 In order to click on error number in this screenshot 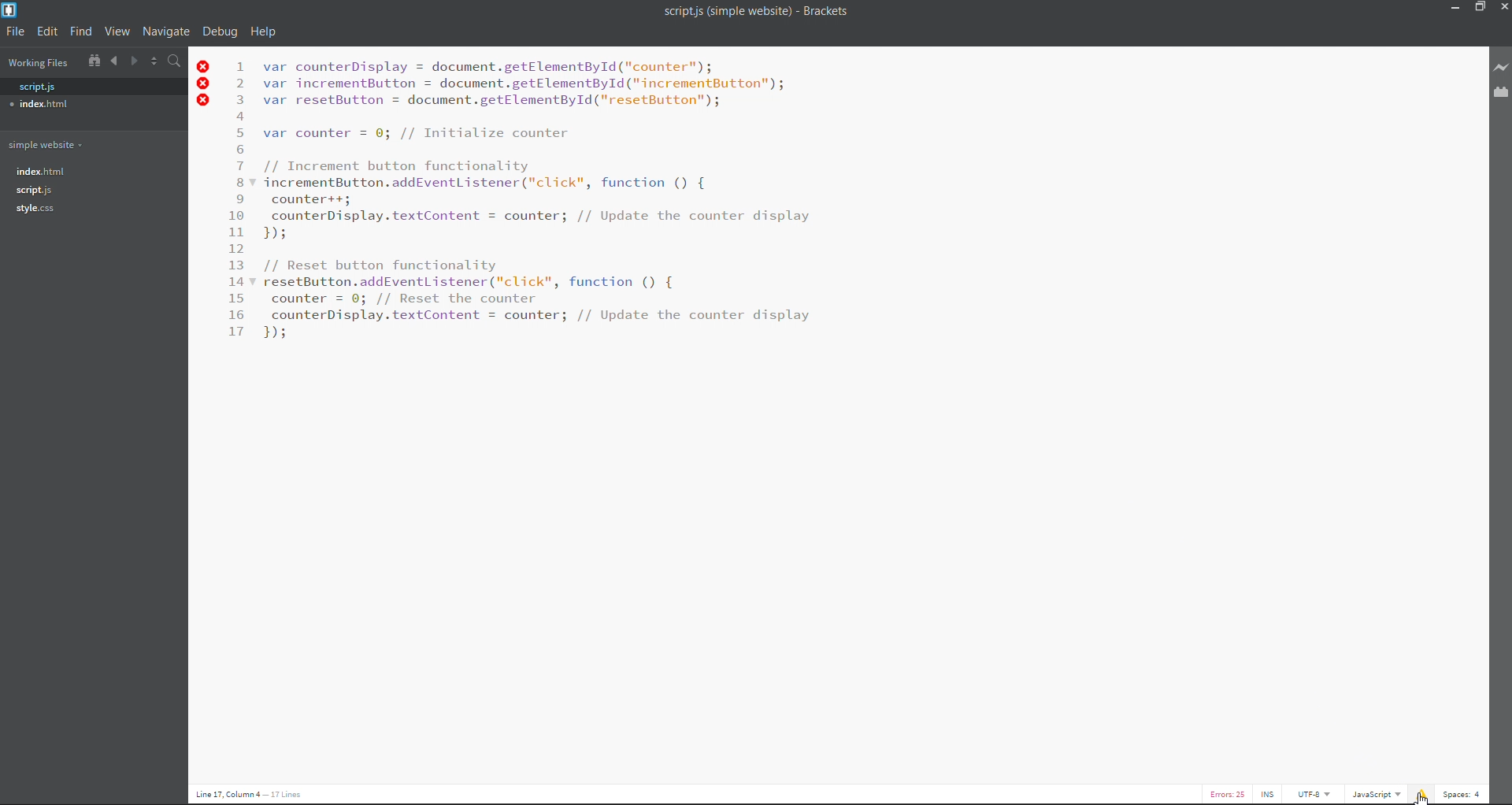, I will do `click(1232, 793)`.